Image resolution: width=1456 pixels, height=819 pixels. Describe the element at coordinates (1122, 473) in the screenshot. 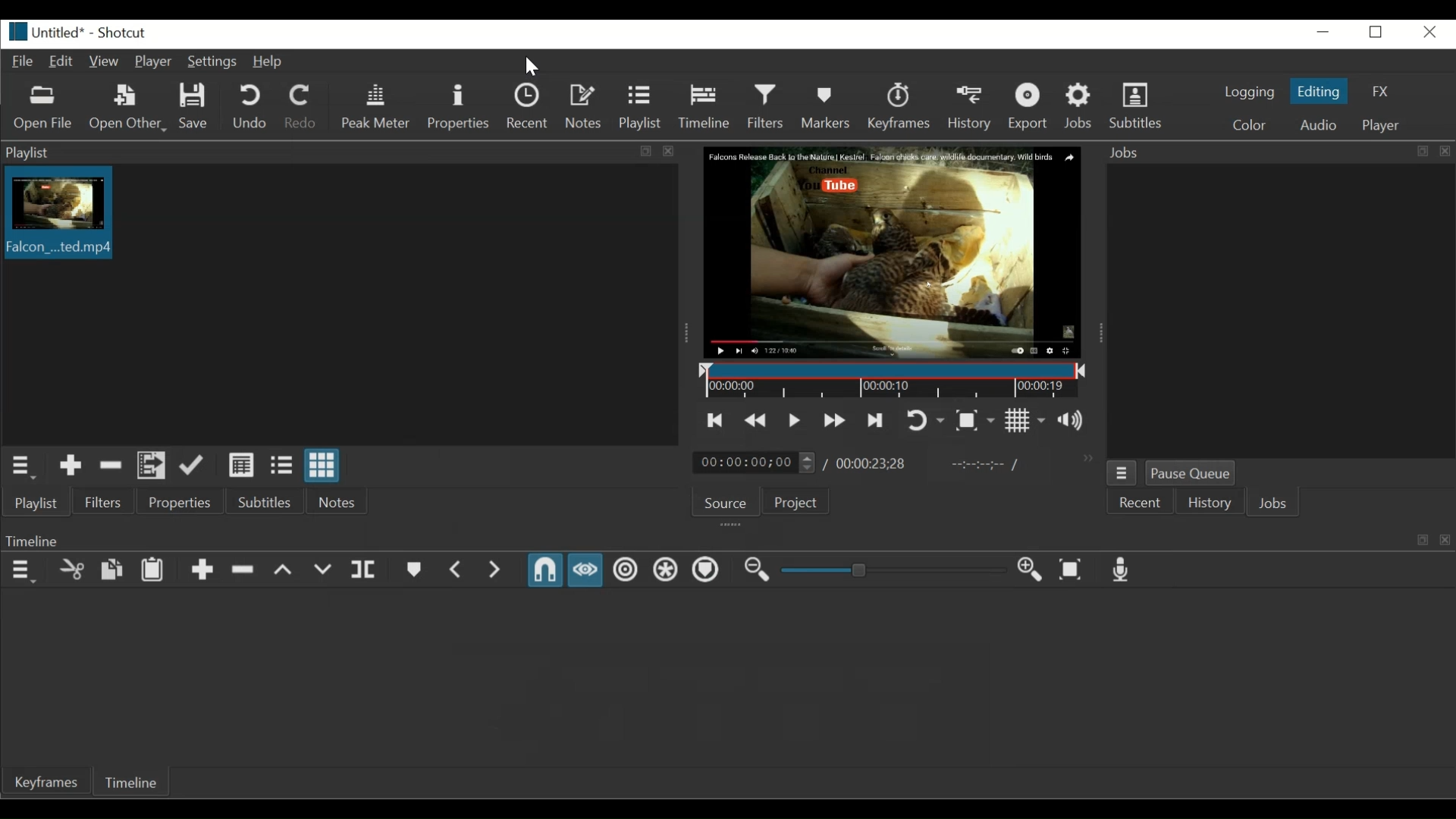

I see `Jobs menu` at that location.